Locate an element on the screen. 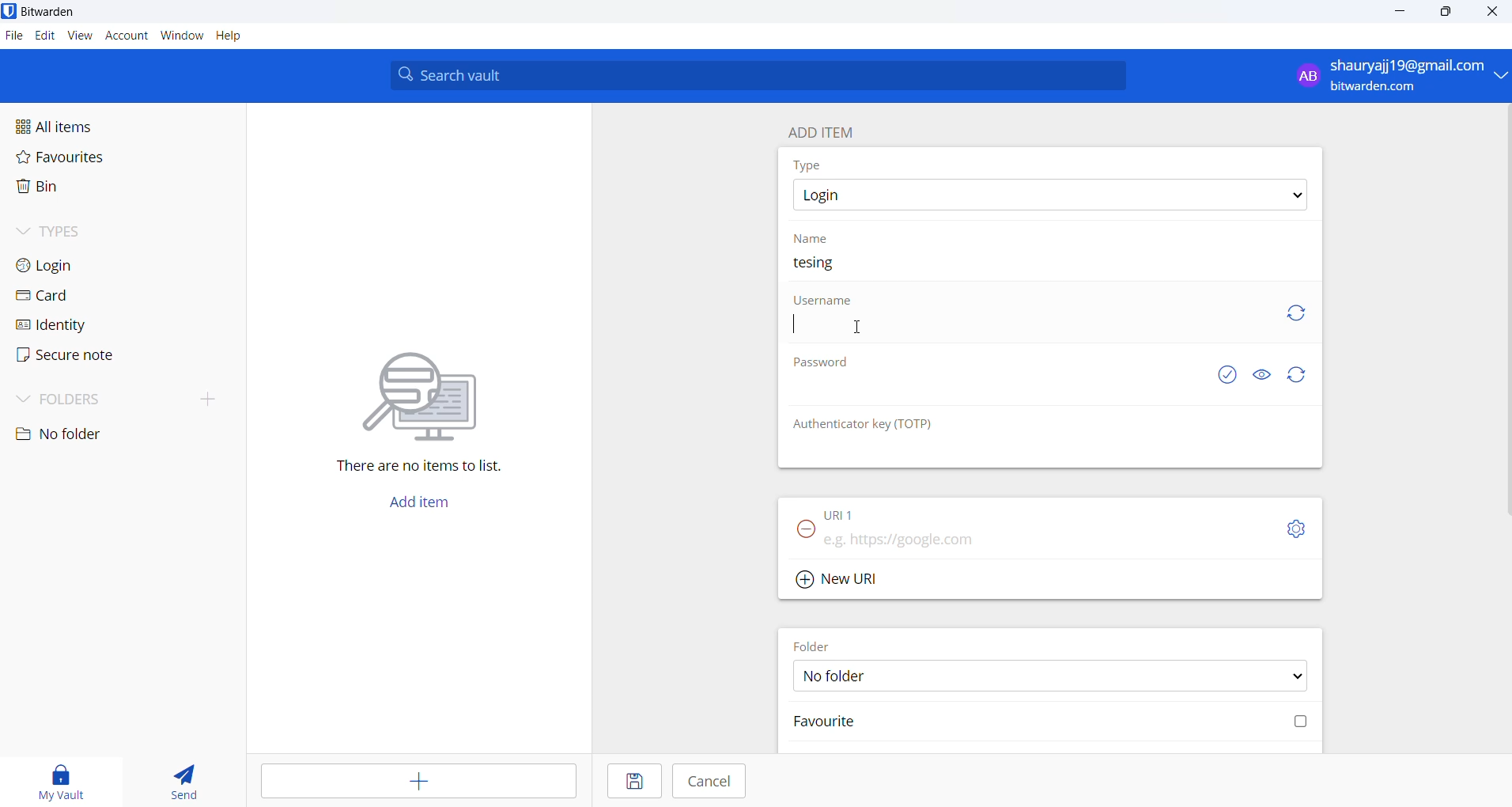 The image size is (1512, 807). secure note is located at coordinates (63, 355).